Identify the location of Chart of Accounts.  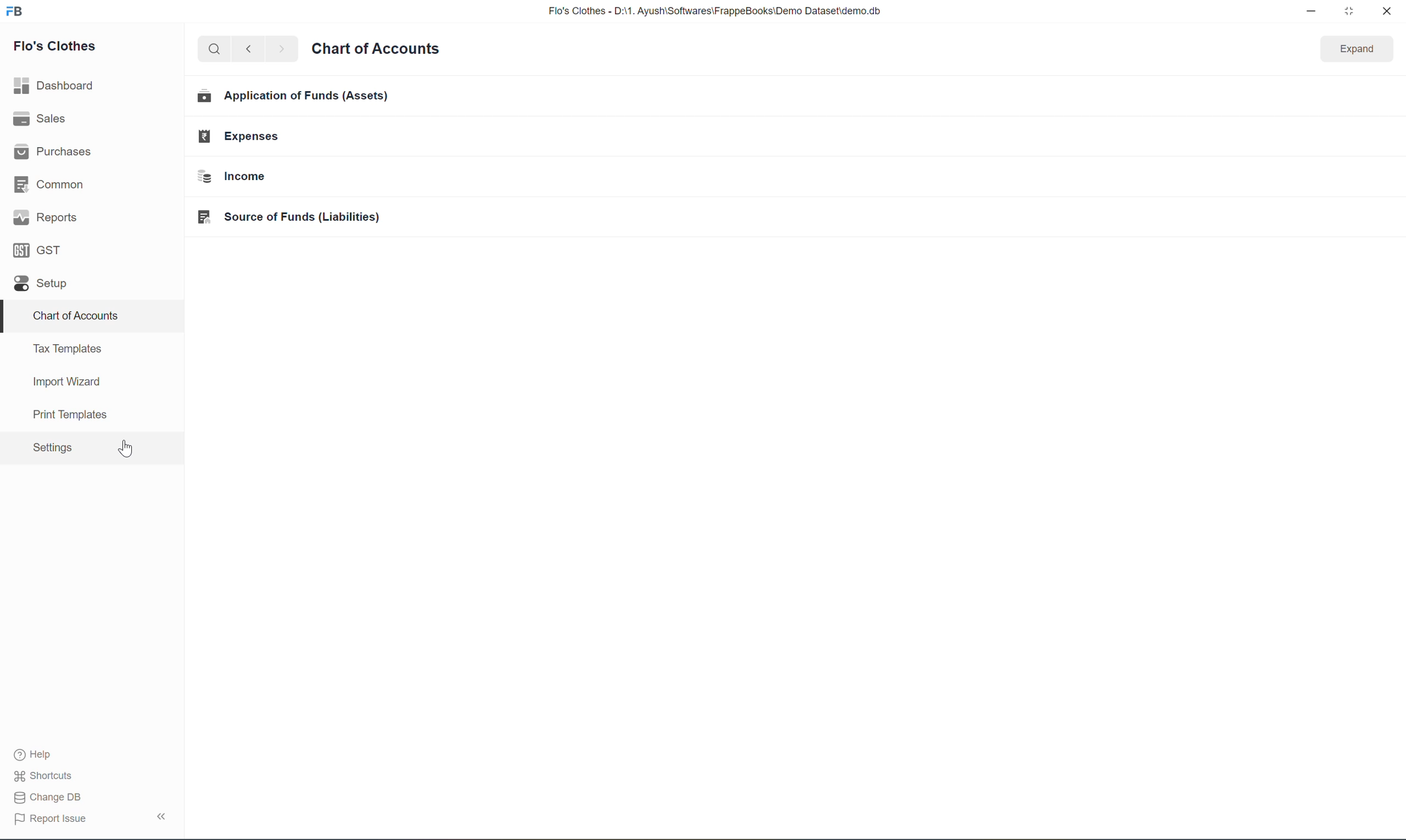
(378, 48).